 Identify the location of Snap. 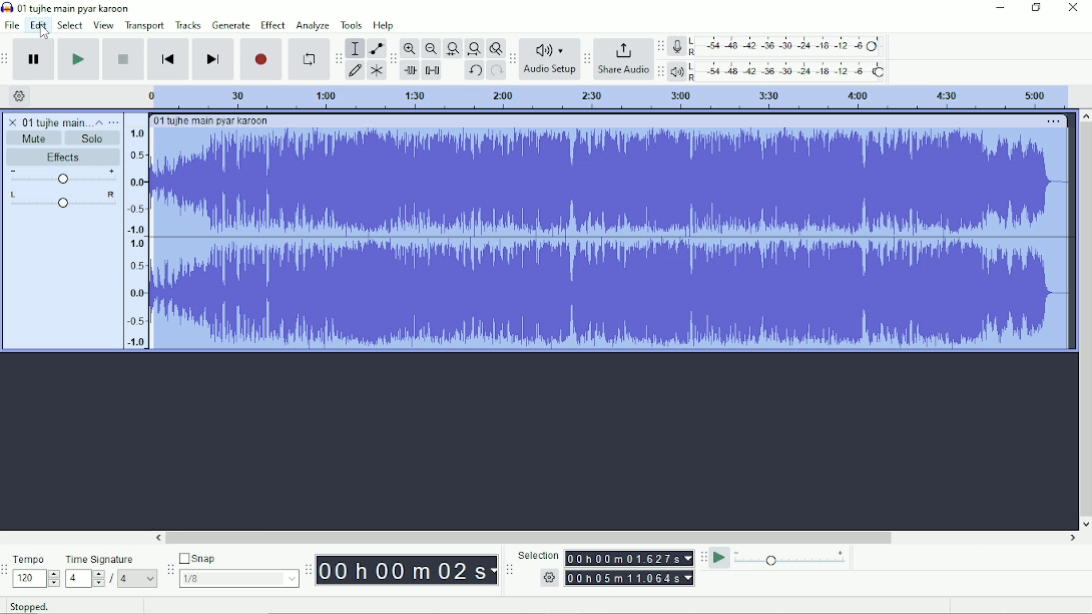
(238, 557).